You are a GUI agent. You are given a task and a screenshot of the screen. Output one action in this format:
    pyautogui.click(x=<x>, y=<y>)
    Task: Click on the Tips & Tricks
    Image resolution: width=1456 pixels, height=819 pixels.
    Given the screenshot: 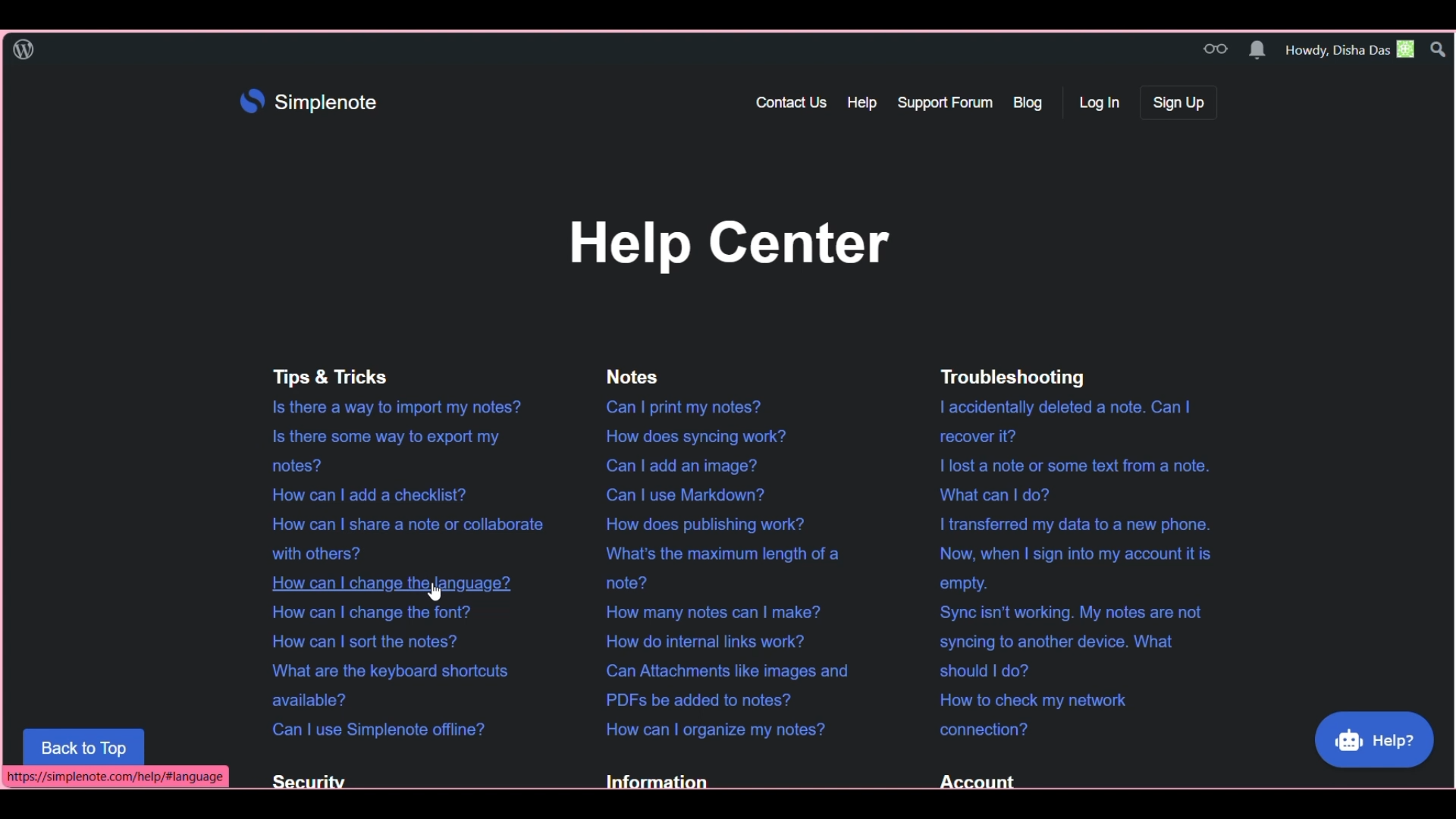 What is the action you would take?
    pyautogui.click(x=325, y=378)
    